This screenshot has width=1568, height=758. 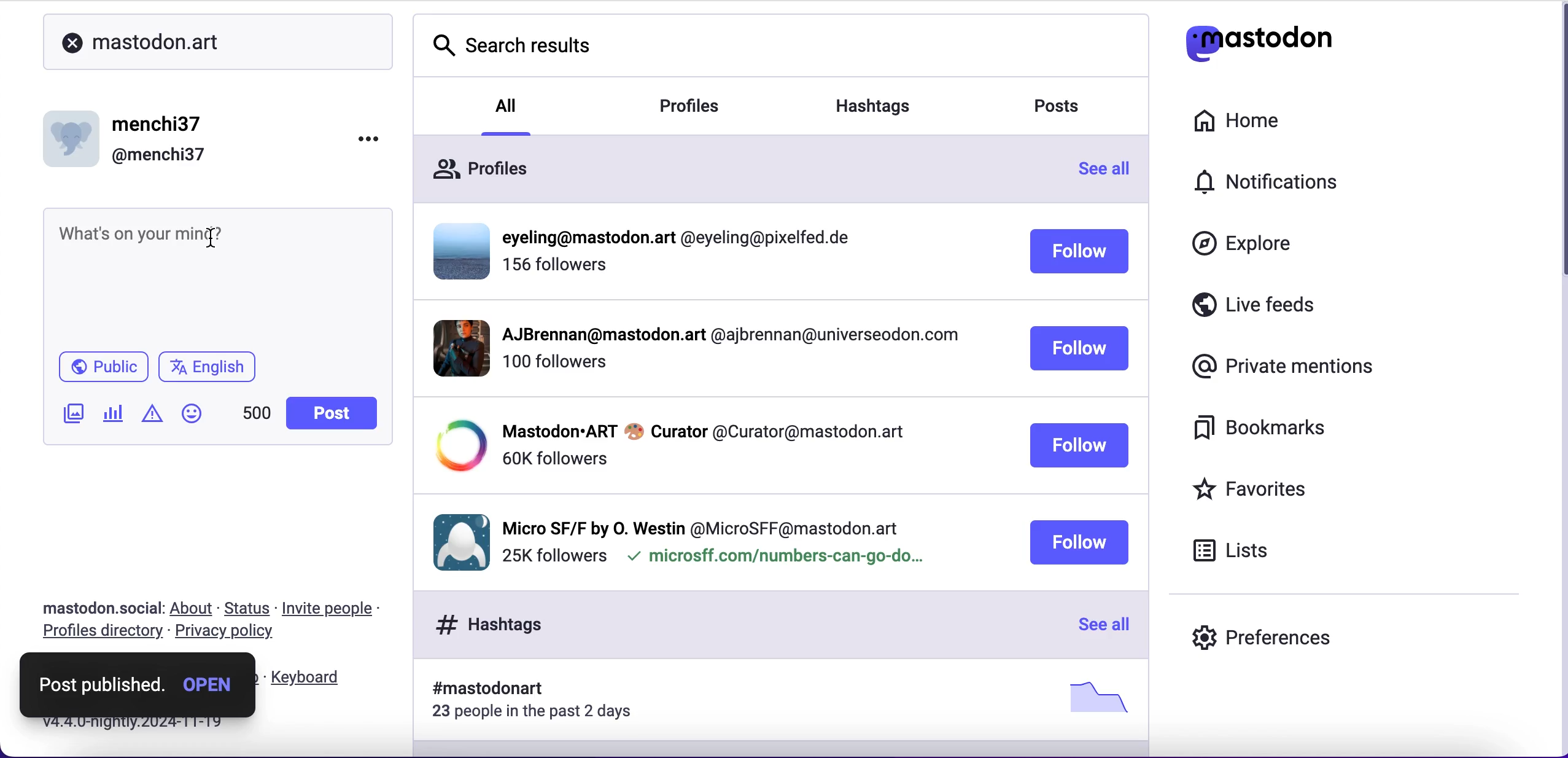 What do you see at coordinates (553, 557) in the screenshot?
I see `followers` at bounding box center [553, 557].